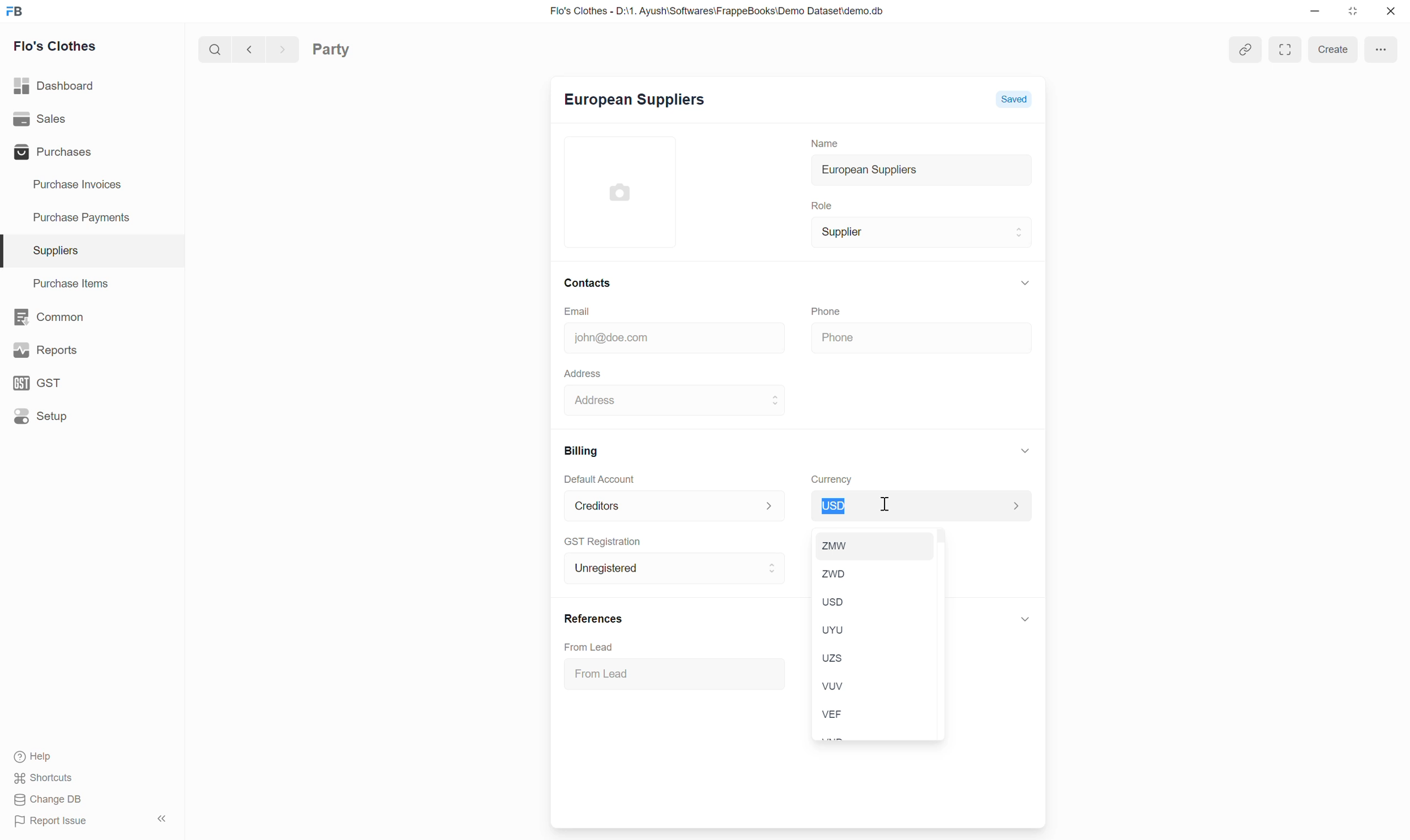 Image resolution: width=1410 pixels, height=840 pixels. What do you see at coordinates (42, 779) in the screenshot?
I see `Shortcuts` at bounding box center [42, 779].